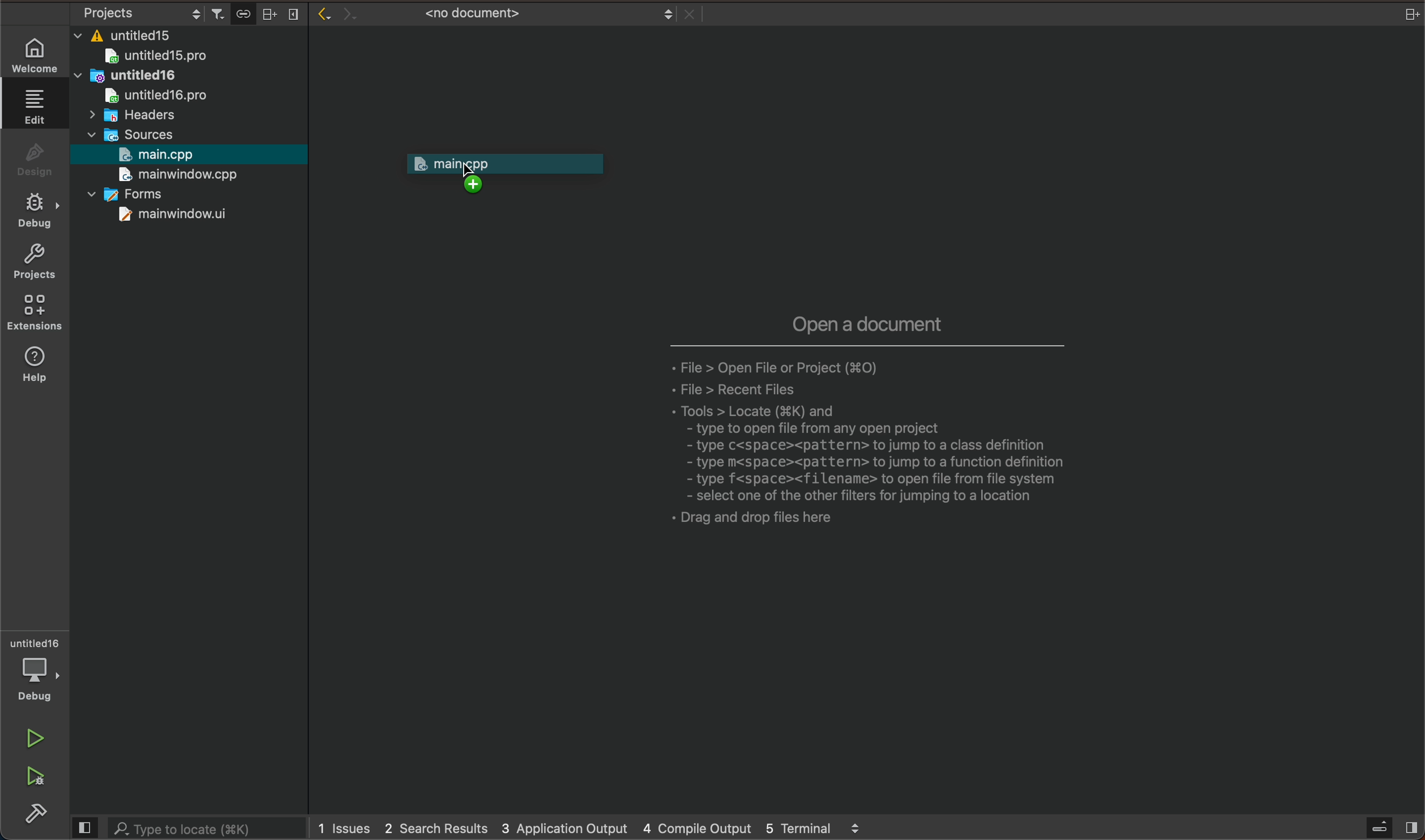 The width and height of the screenshot is (1425, 840). I want to click on mainwindow.cpp, so click(173, 175).